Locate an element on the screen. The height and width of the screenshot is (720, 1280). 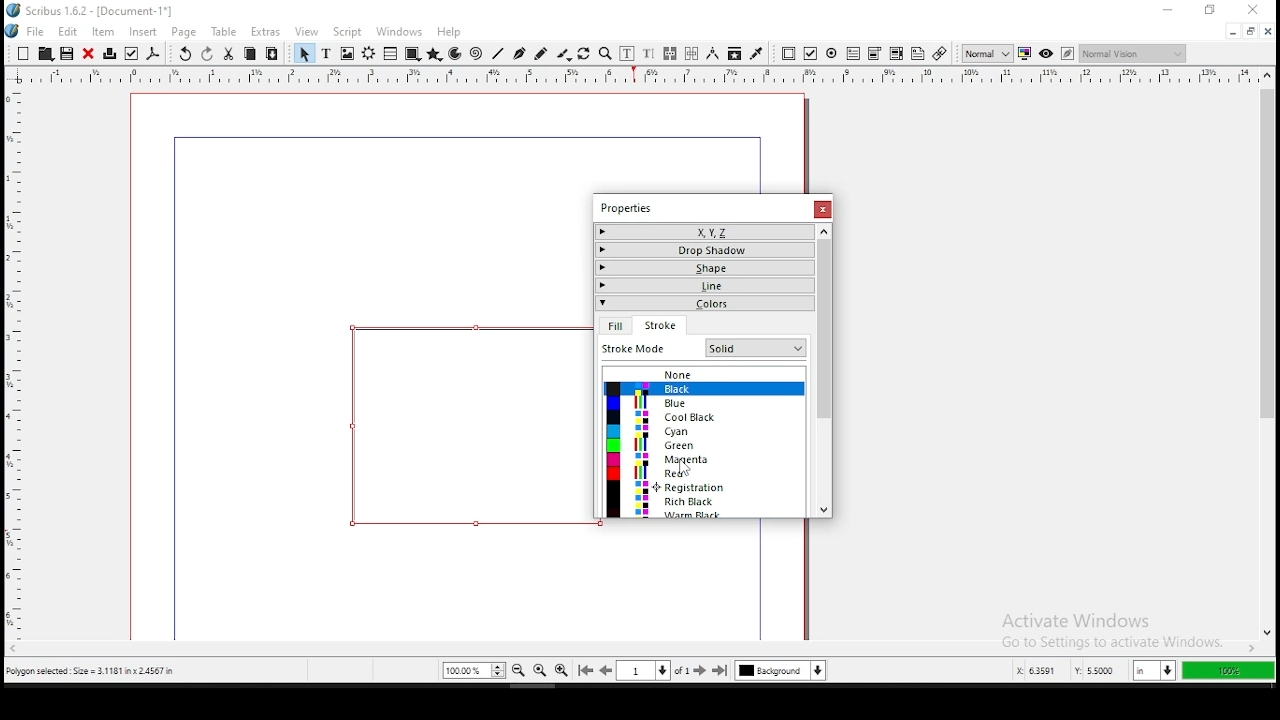
cyan is located at coordinates (705, 432).